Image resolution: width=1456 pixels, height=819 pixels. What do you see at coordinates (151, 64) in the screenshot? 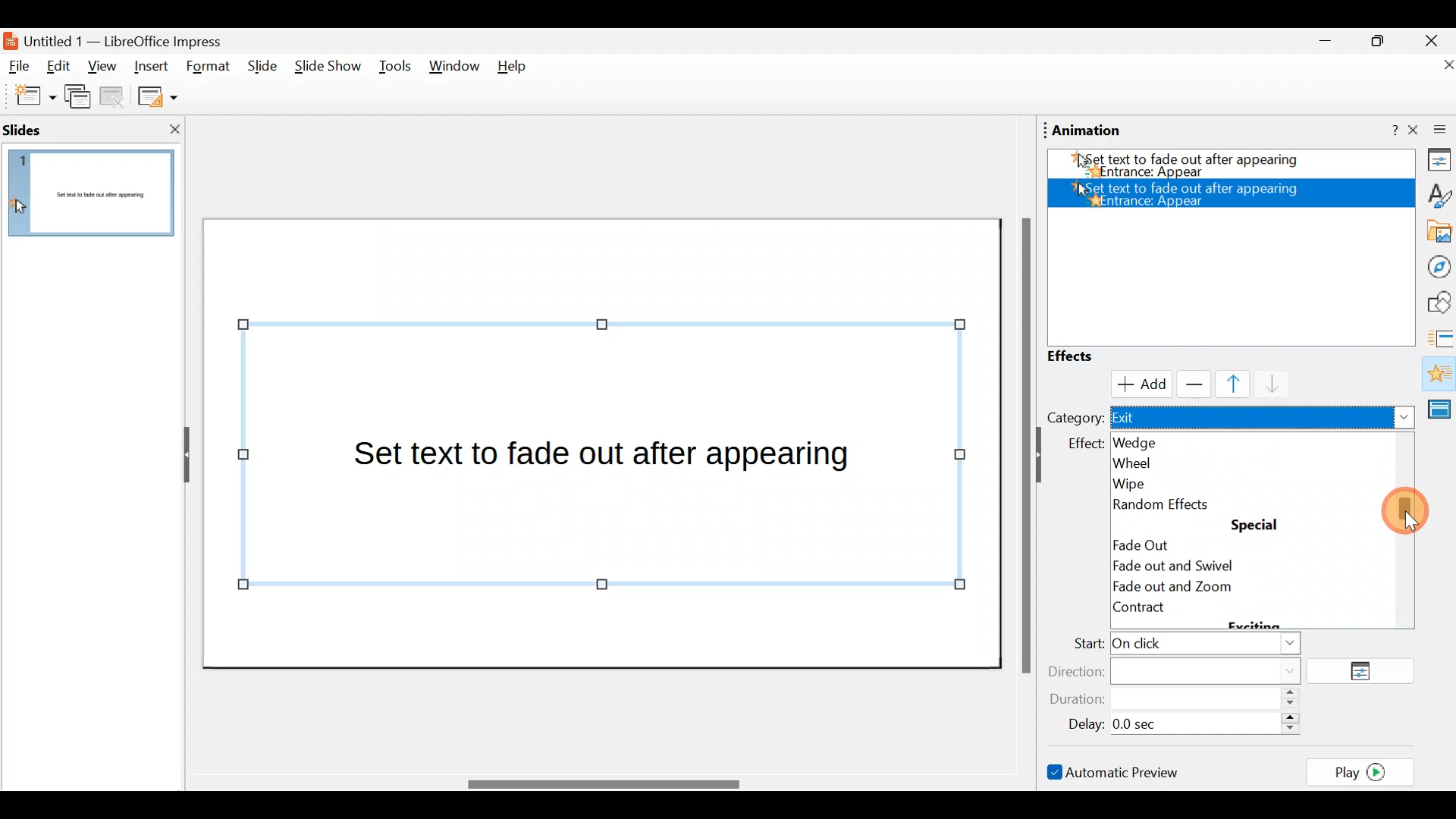
I see `Insert` at bounding box center [151, 64].